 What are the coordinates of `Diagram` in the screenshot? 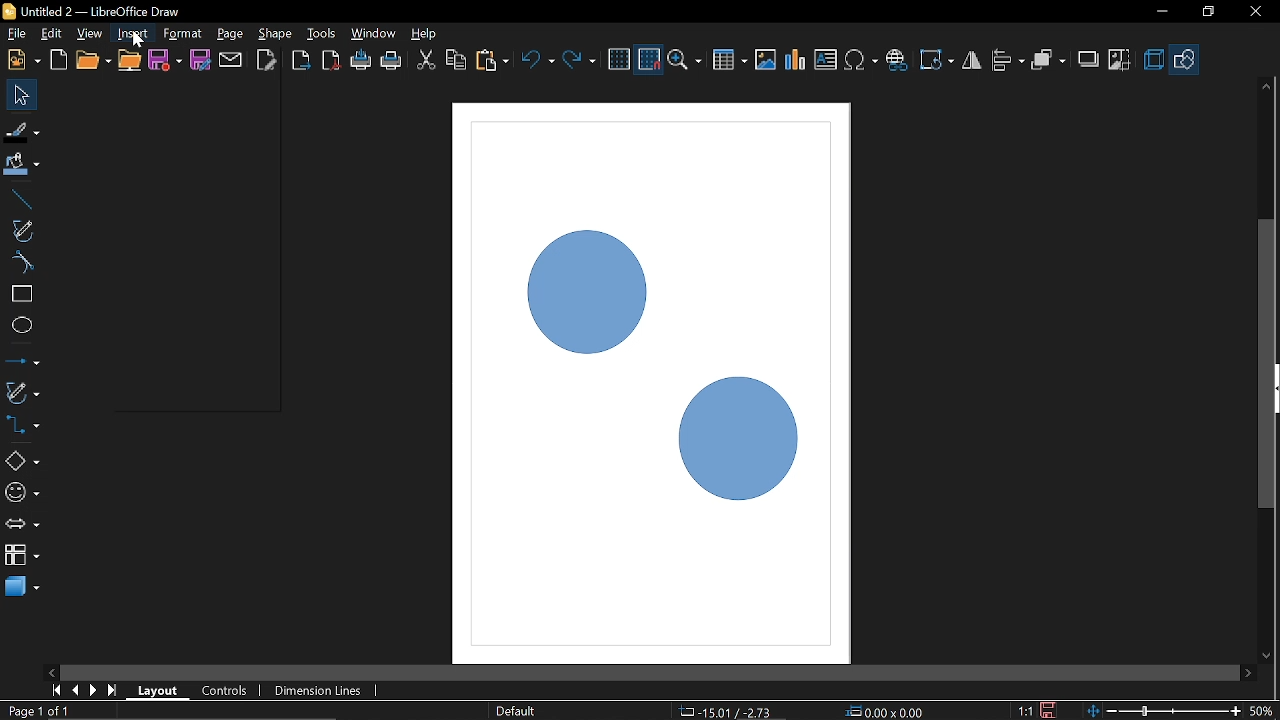 It's located at (796, 60).